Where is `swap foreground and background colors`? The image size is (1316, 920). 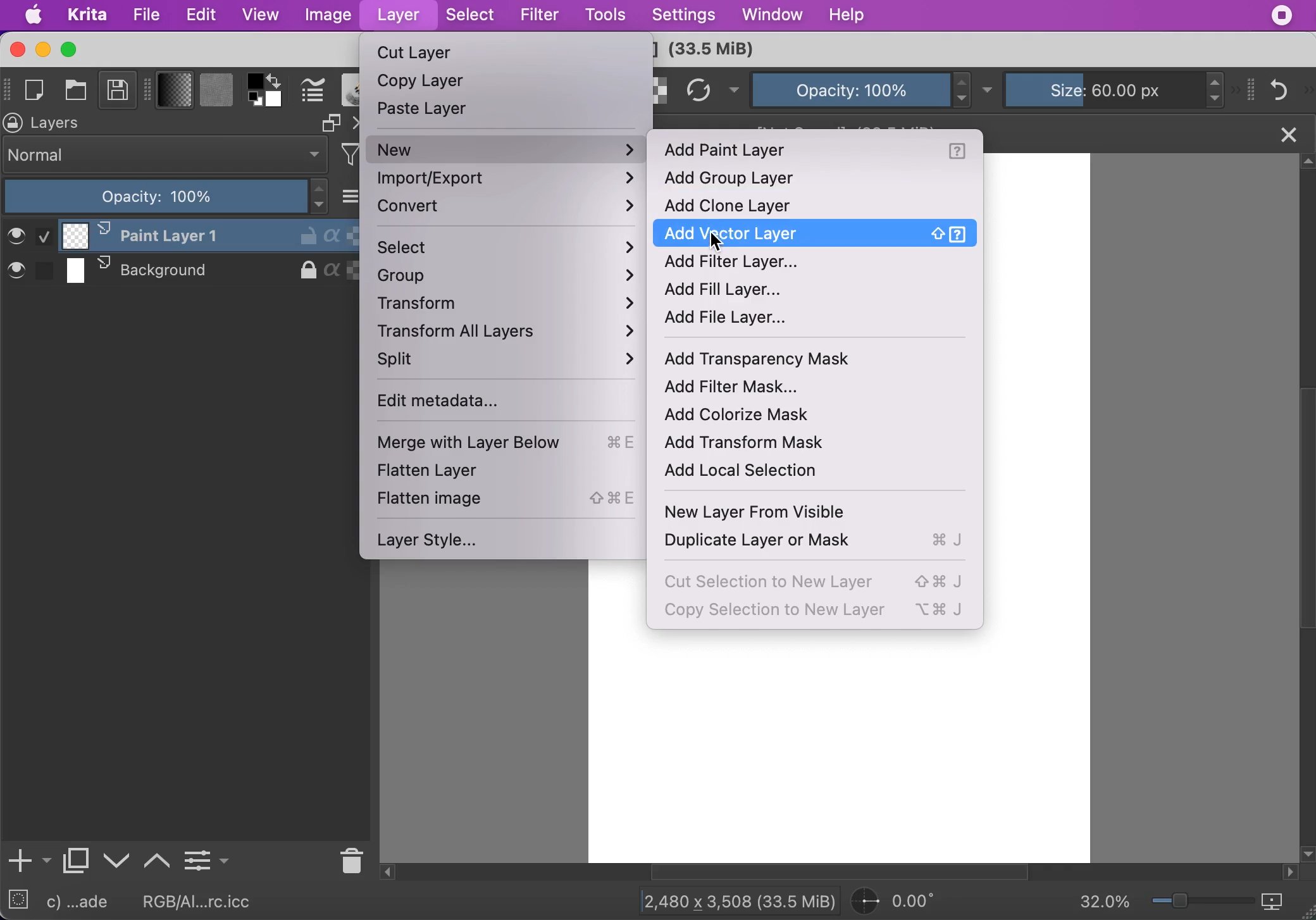
swap foreground and background colors is located at coordinates (278, 80).